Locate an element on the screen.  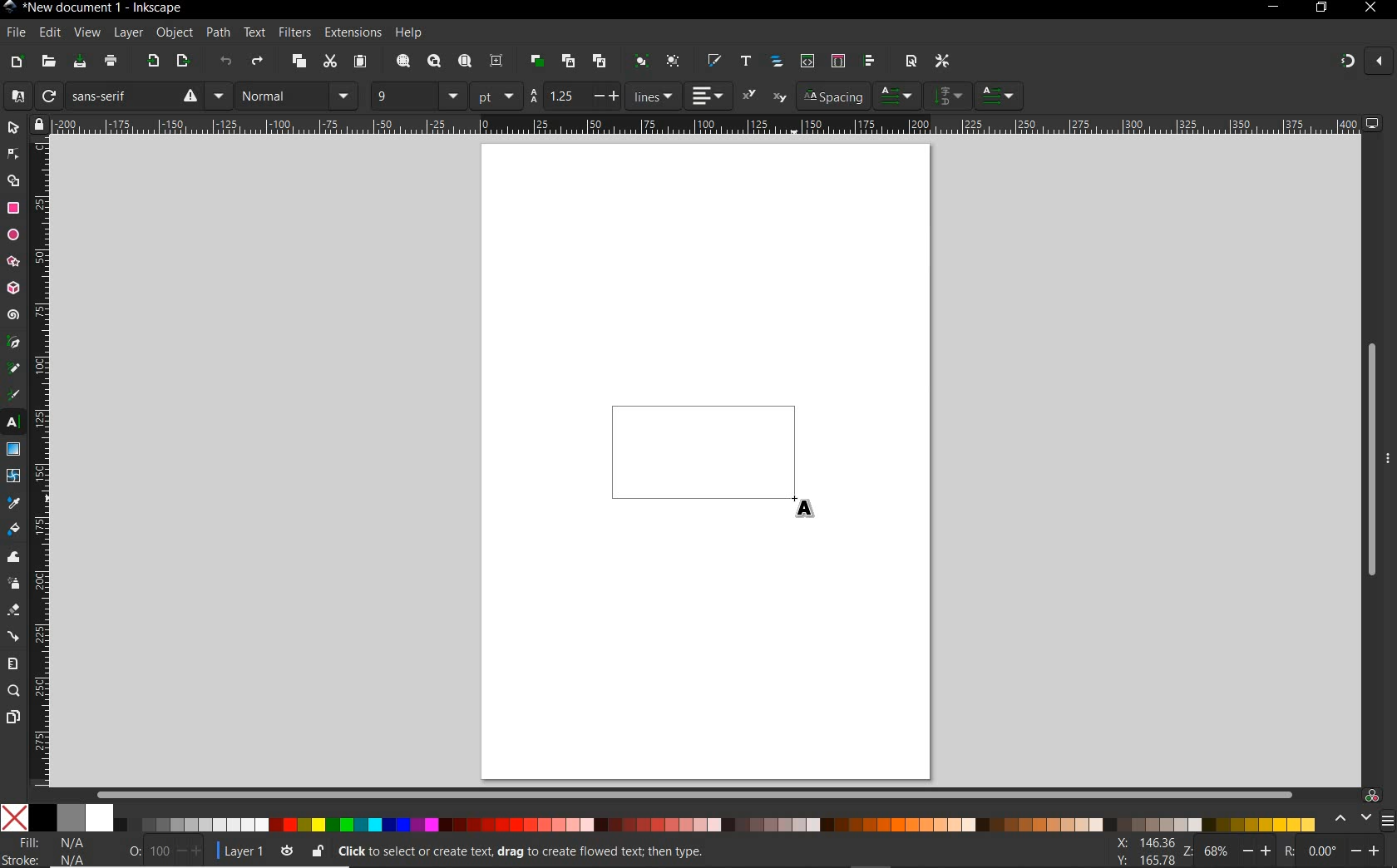
menu is located at coordinates (345, 96).